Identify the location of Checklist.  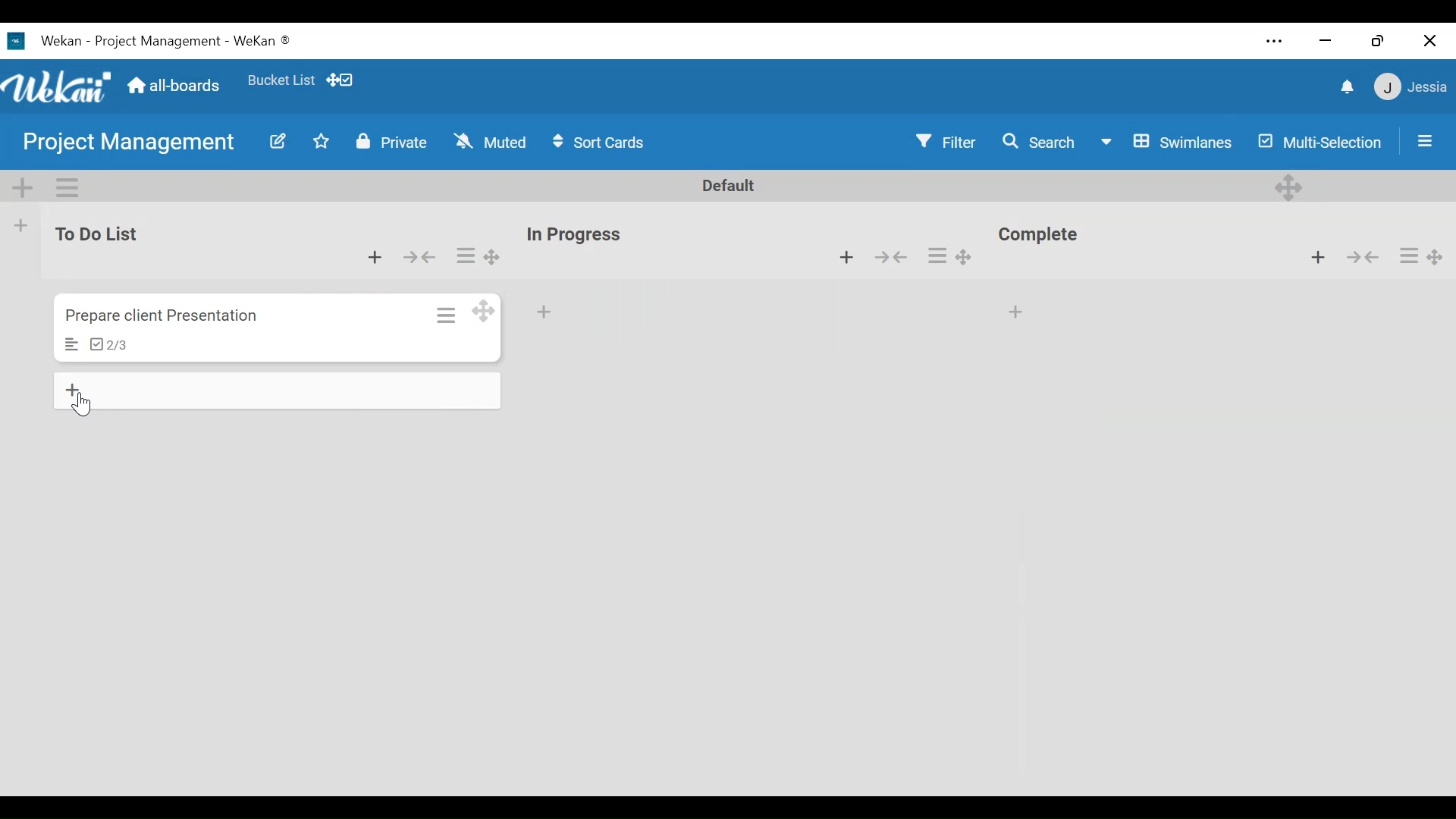
(108, 346).